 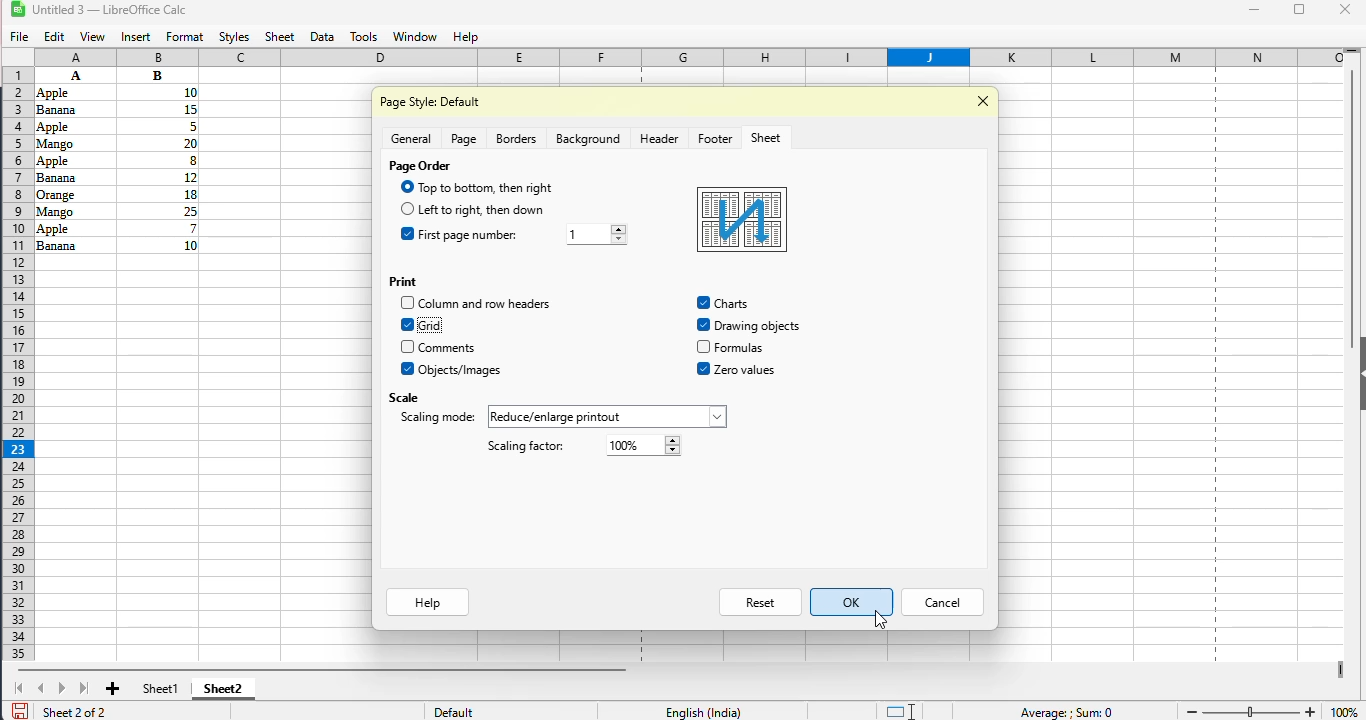 I want to click on file, so click(x=20, y=38).